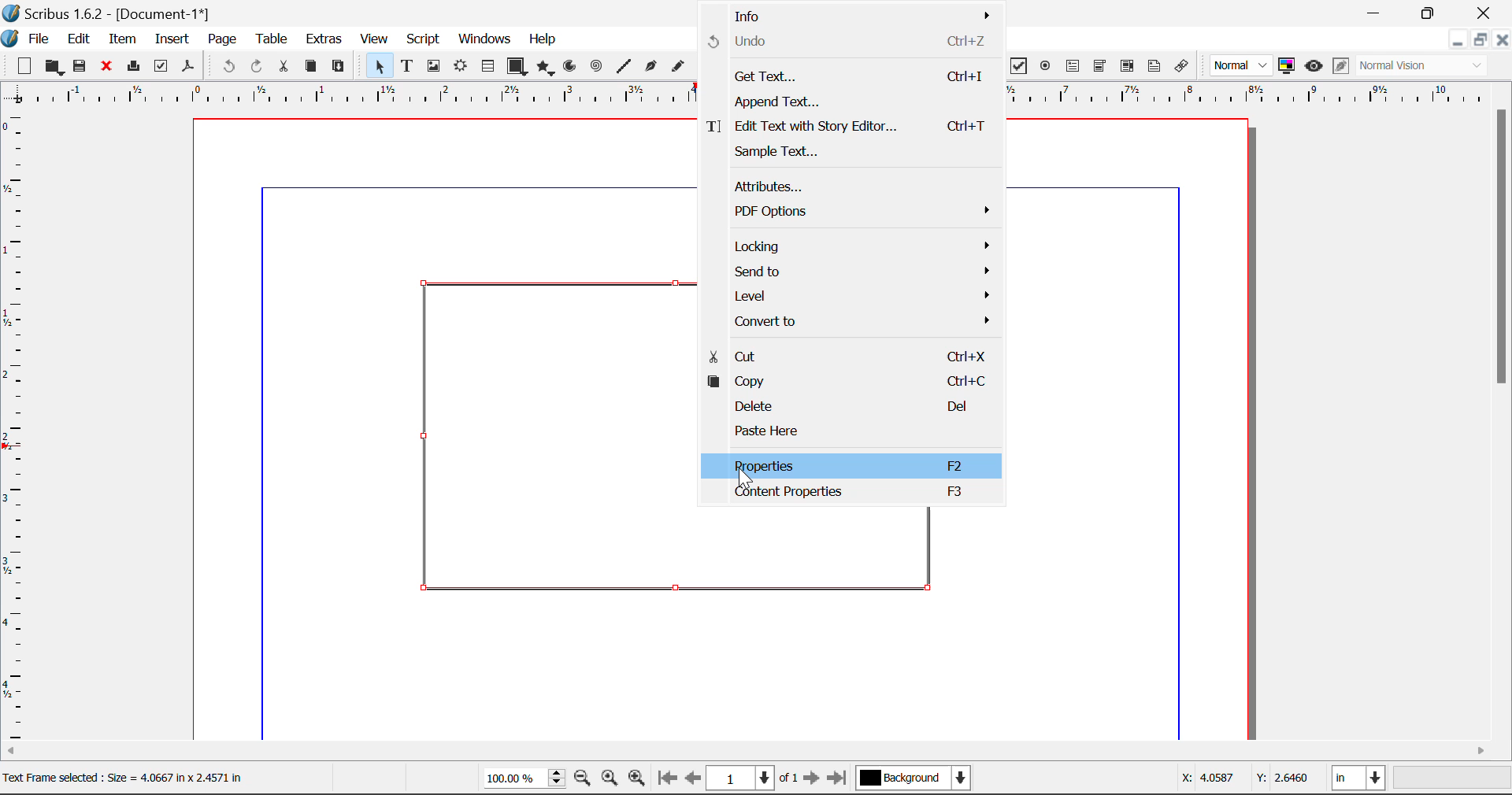 The image size is (1512, 795). I want to click on Bezier Curve, so click(649, 66).